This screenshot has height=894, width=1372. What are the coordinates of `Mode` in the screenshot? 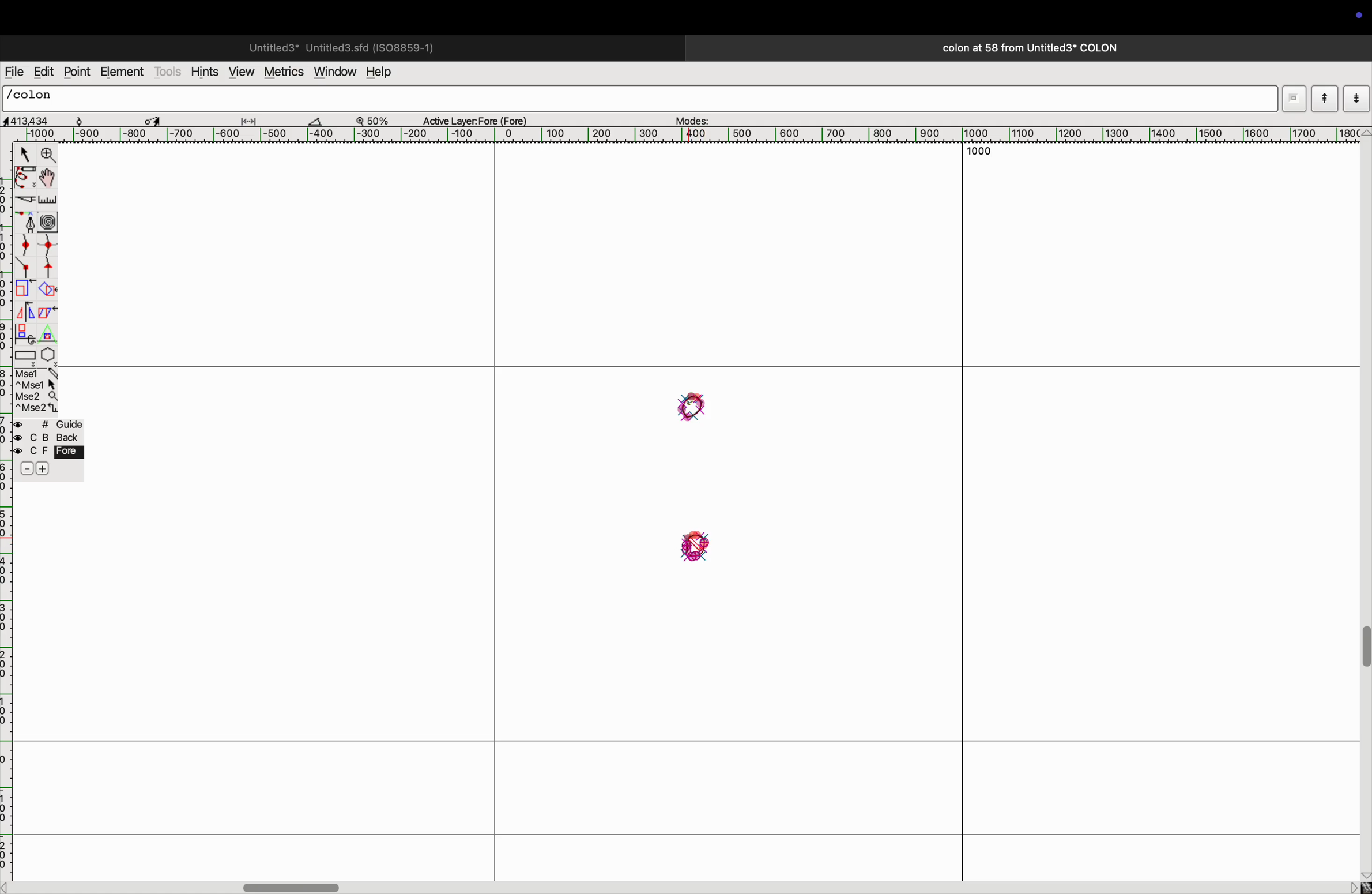 It's located at (1294, 99).